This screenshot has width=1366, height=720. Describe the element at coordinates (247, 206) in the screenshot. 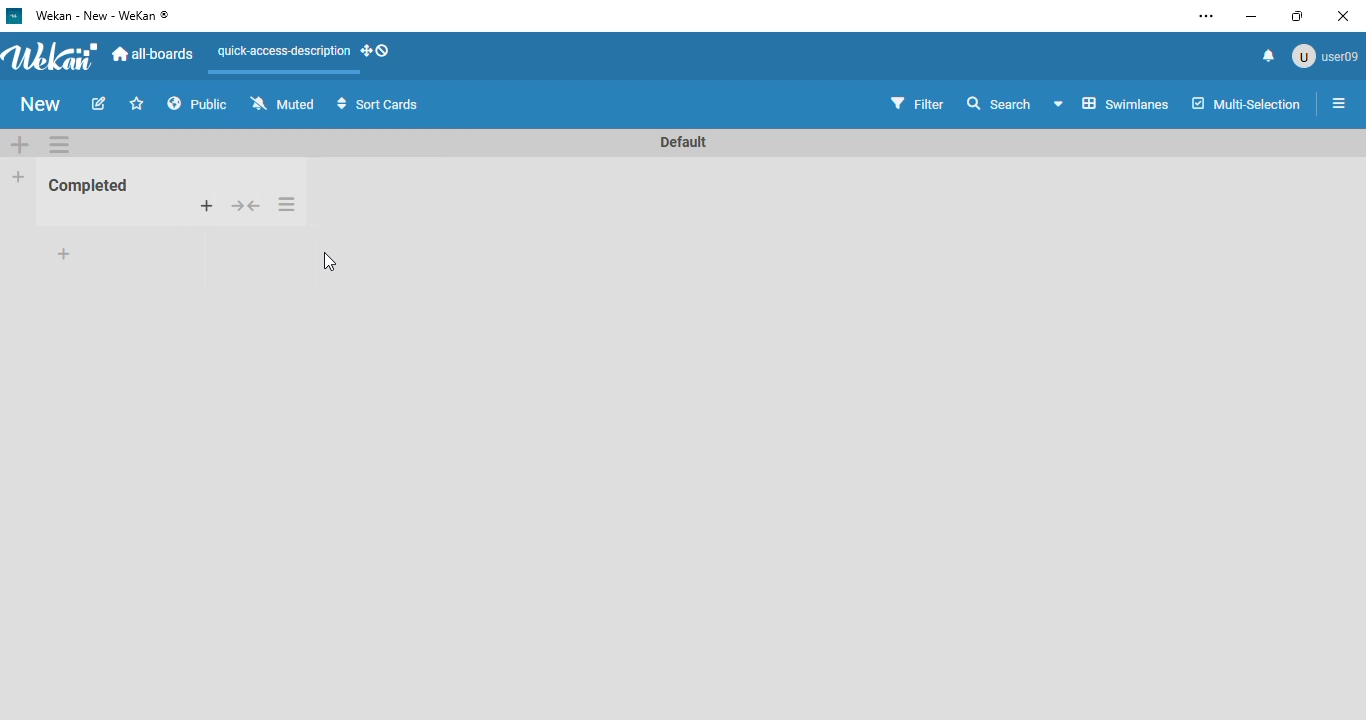

I see `collapse` at that location.